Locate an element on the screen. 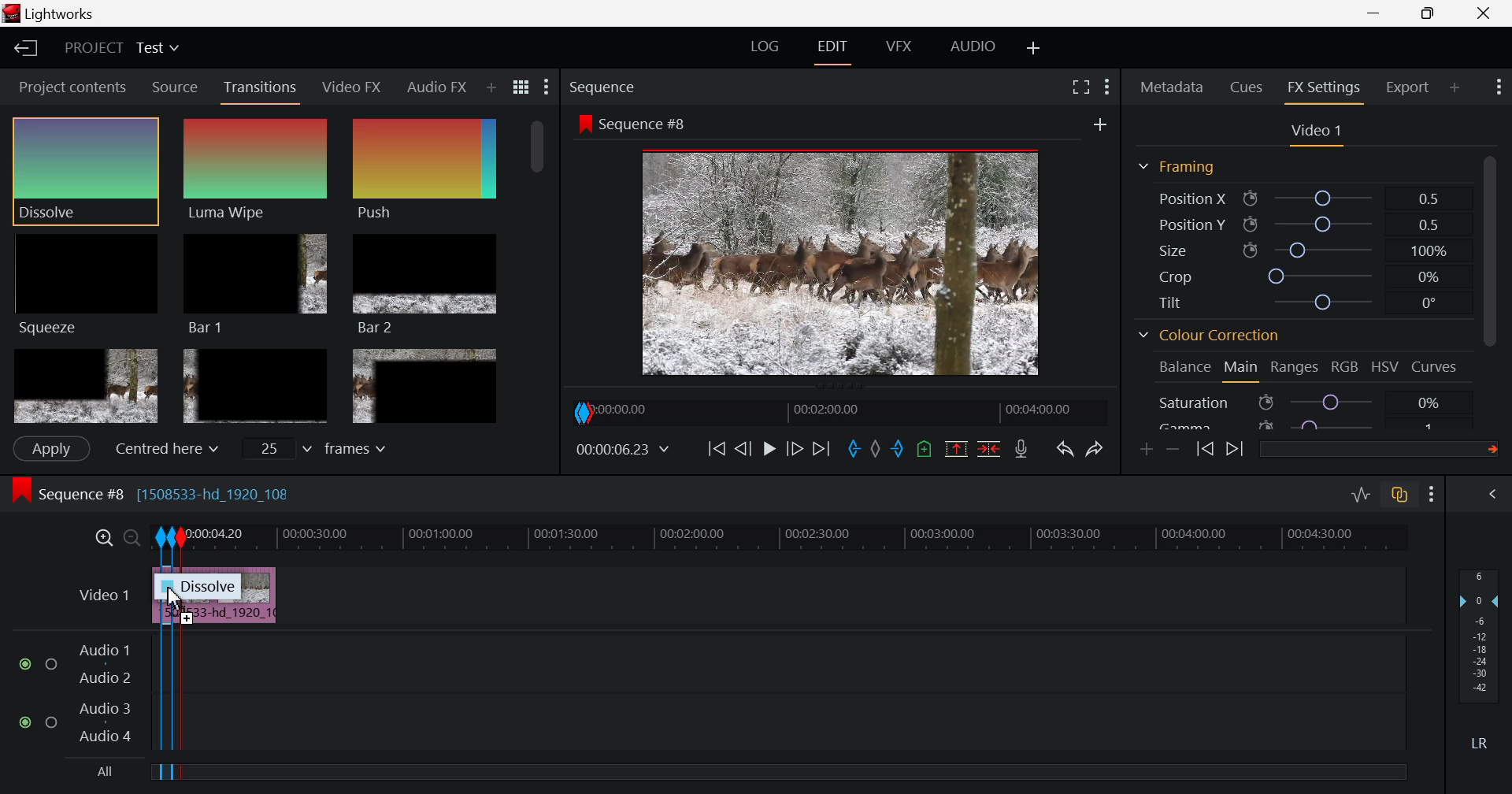 The height and width of the screenshot is (794, 1512). Add Layout is located at coordinates (1035, 47).